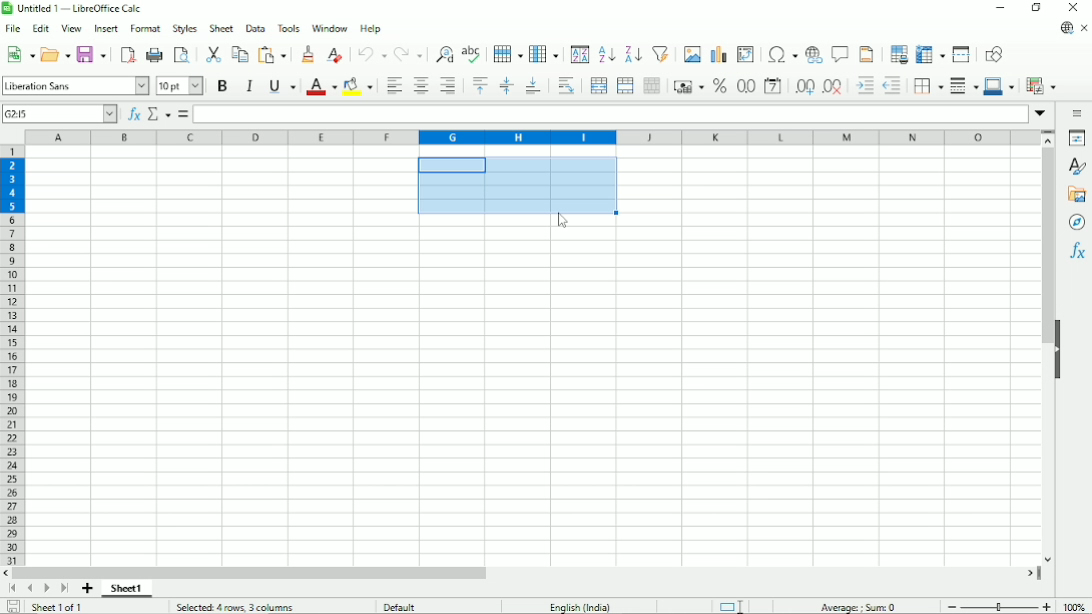 The height and width of the screenshot is (614, 1092). What do you see at coordinates (732, 605) in the screenshot?
I see `Standard selection` at bounding box center [732, 605].